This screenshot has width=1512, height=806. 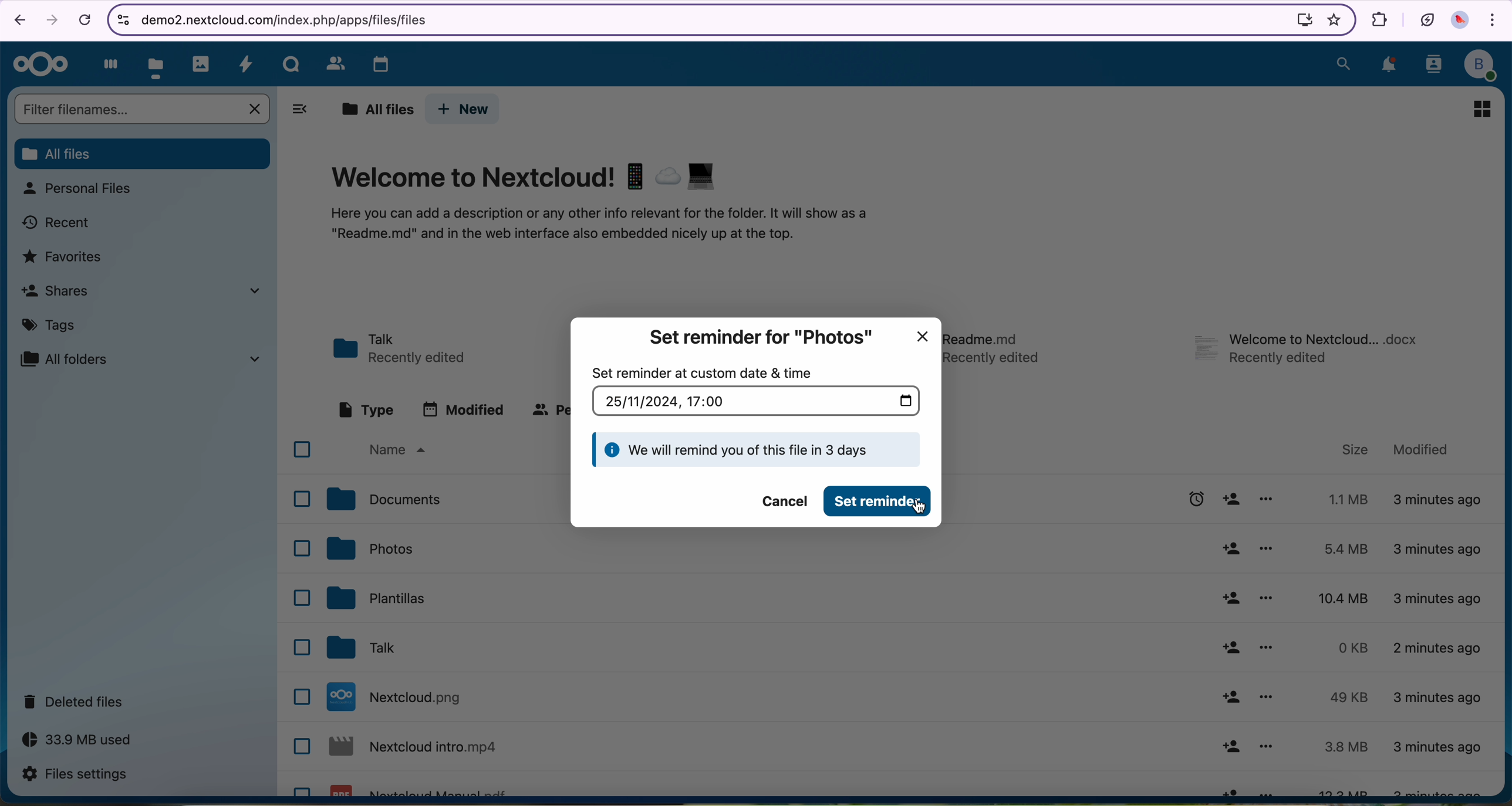 What do you see at coordinates (1342, 63) in the screenshot?
I see `search` at bounding box center [1342, 63].